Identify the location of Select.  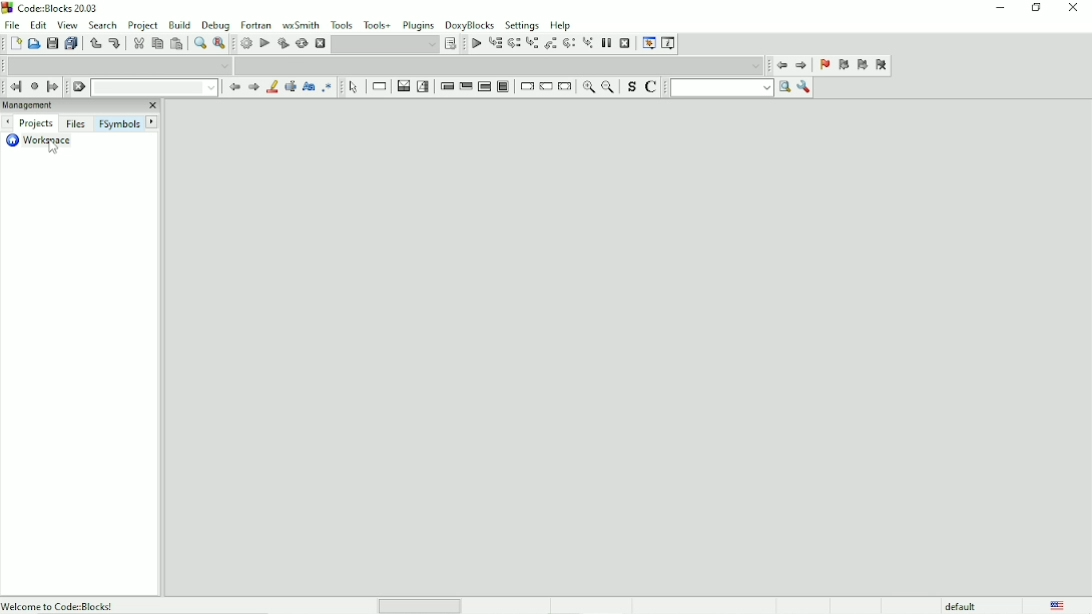
(354, 87).